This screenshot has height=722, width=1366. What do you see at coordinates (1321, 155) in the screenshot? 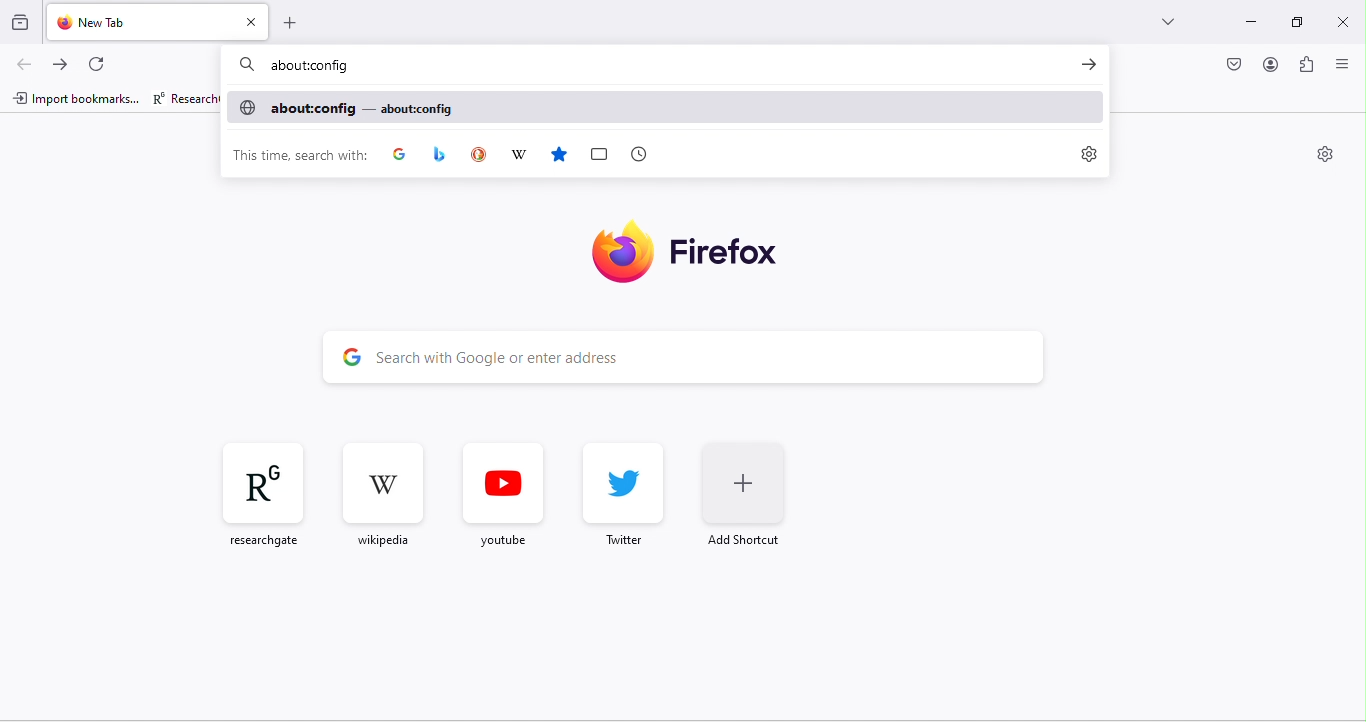
I see `settings` at bounding box center [1321, 155].